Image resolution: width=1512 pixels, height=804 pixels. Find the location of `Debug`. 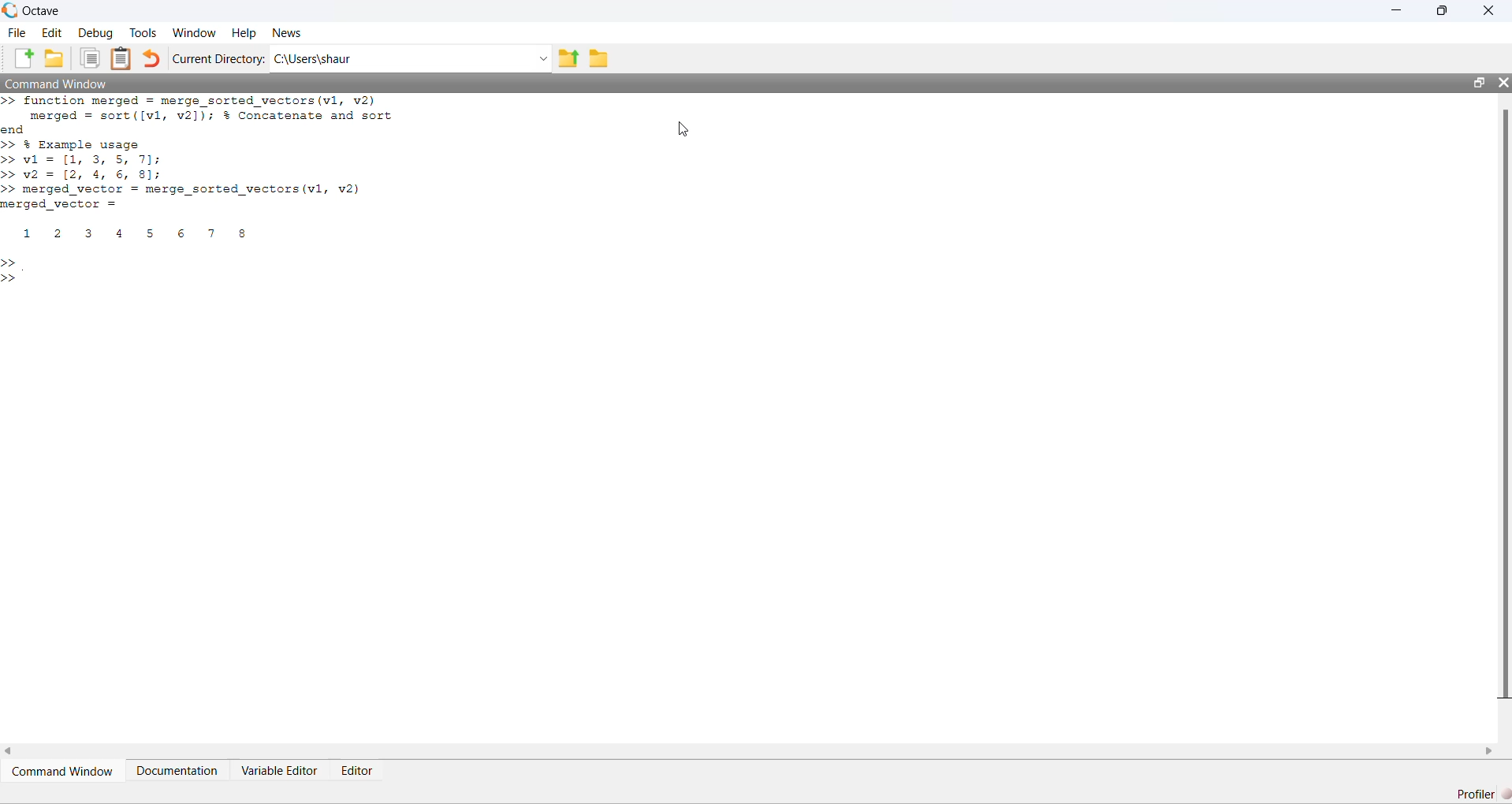

Debug is located at coordinates (98, 33).